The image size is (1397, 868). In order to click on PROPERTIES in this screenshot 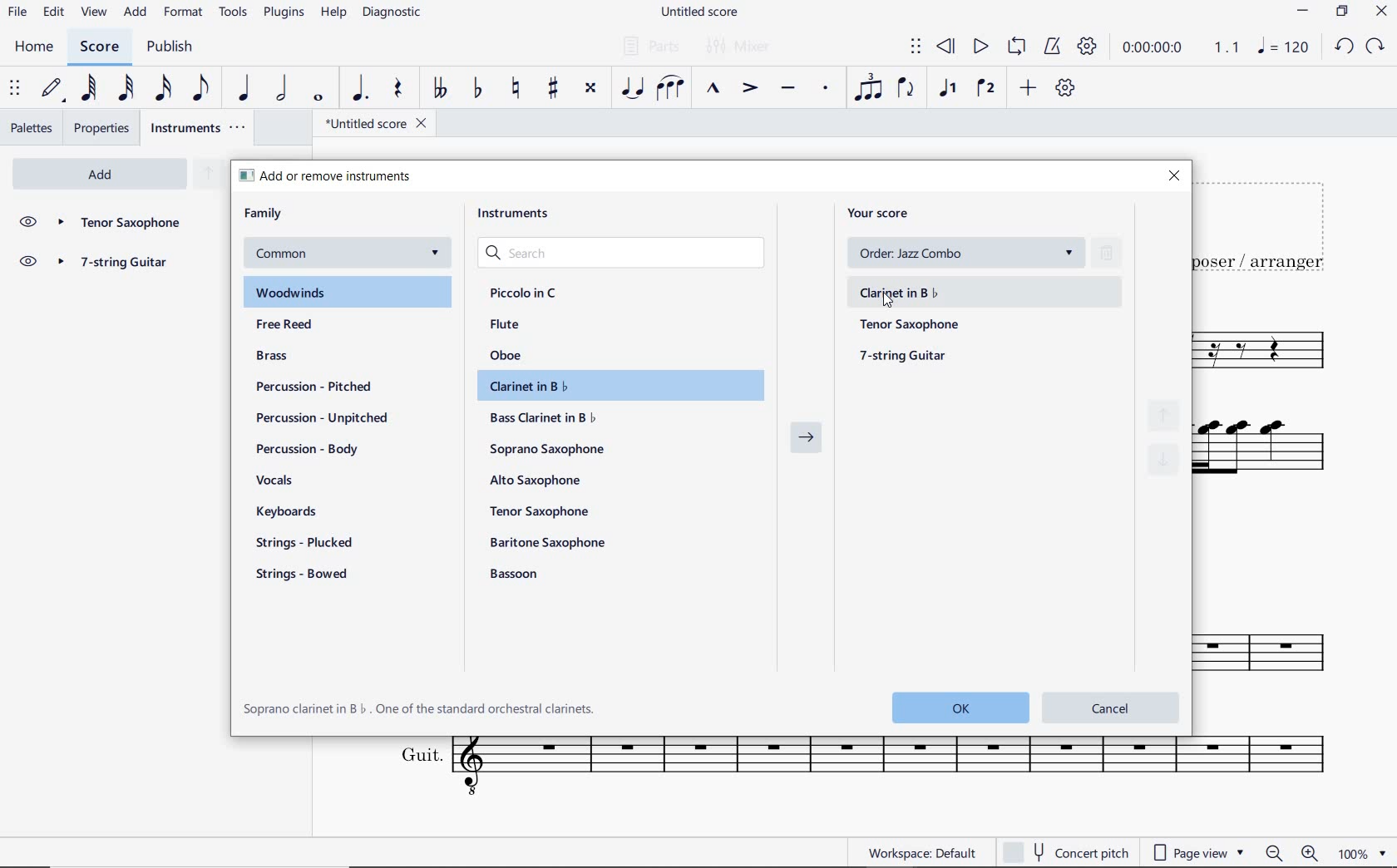, I will do `click(105, 128)`.